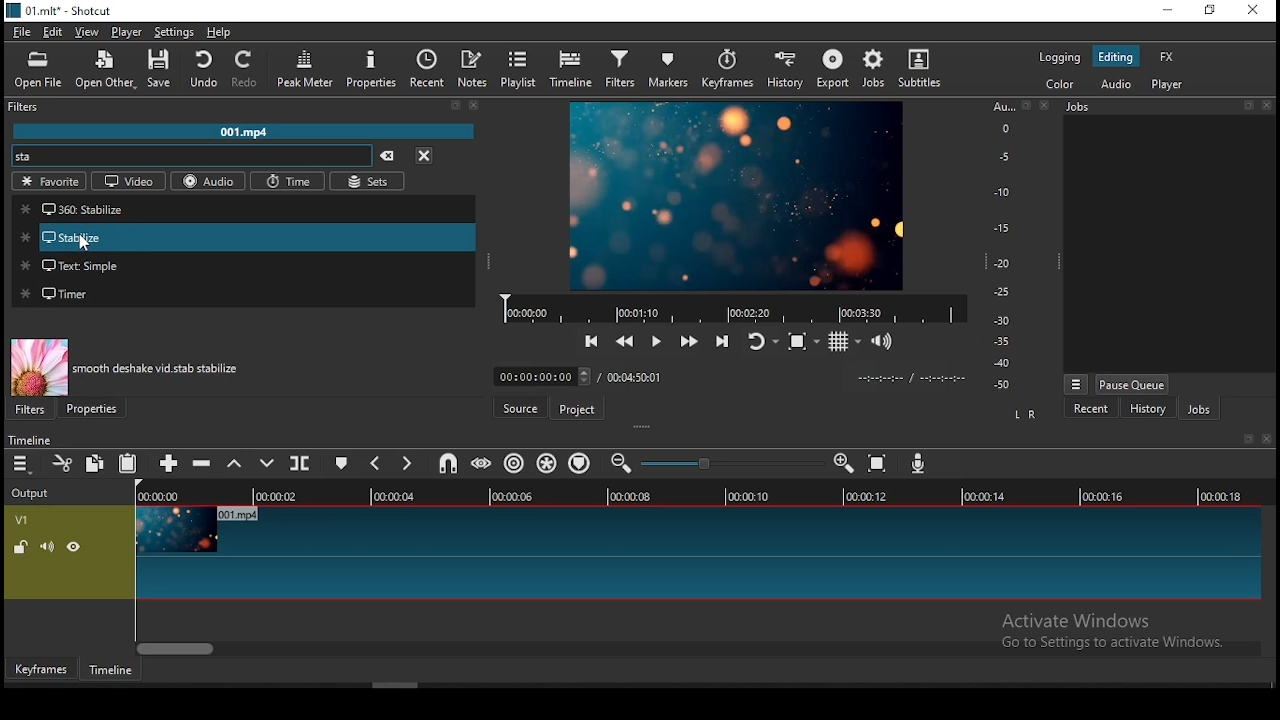  What do you see at coordinates (831, 69) in the screenshot?
I see `export` at bounding box center [831, 69].